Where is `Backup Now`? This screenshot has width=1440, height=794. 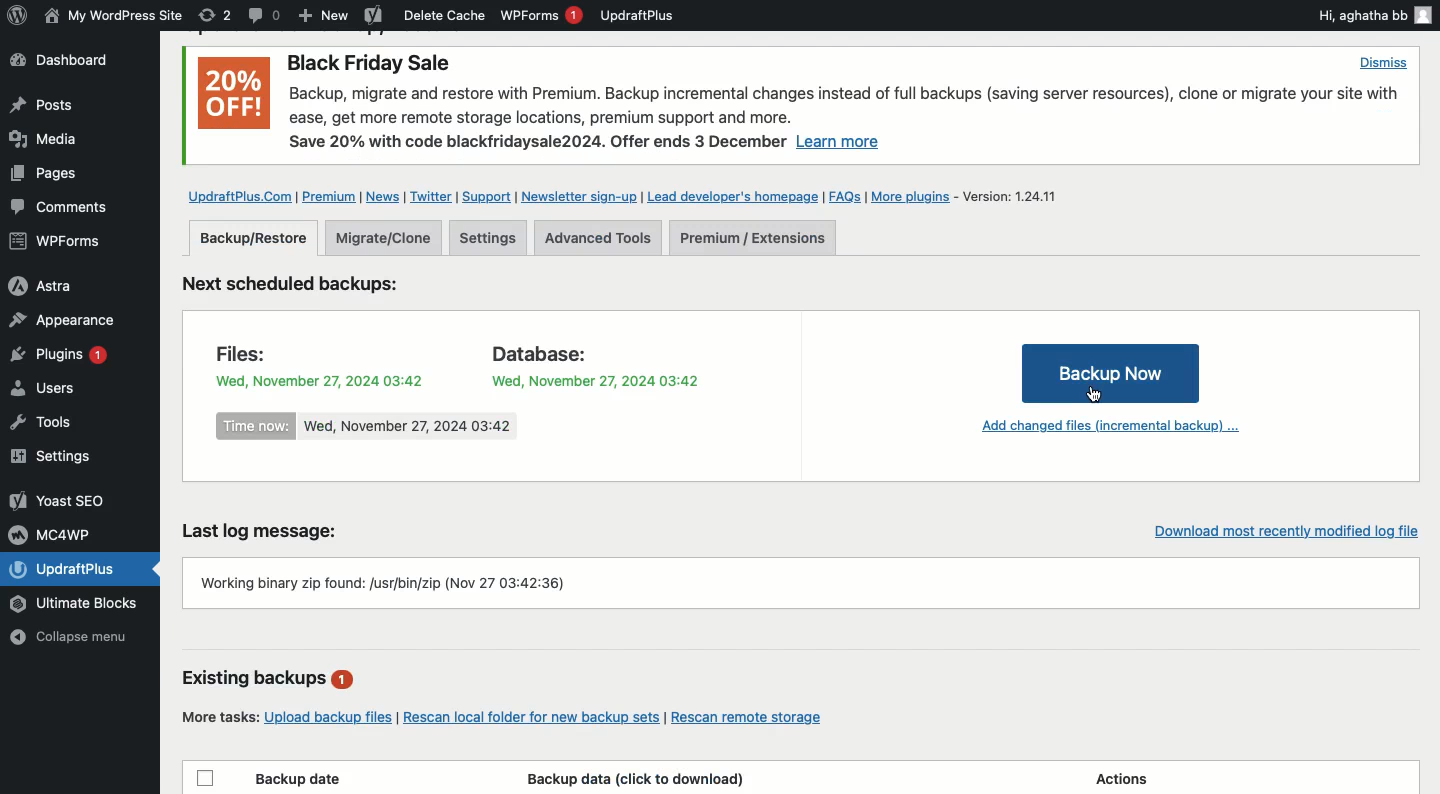
Backup Now is located at coordinates (1110, 372).